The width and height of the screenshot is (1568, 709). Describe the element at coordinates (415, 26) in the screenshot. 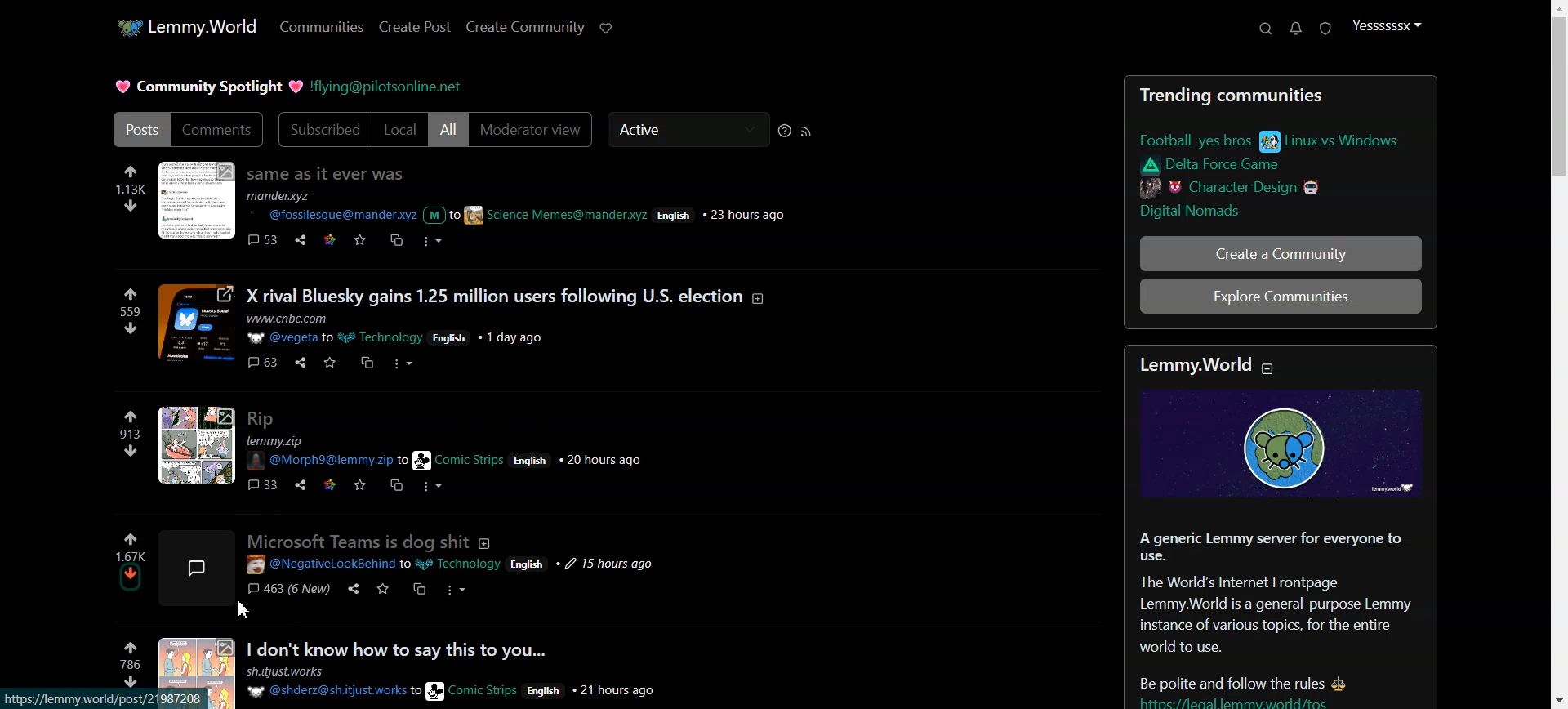

I see `Create Post` at that location.